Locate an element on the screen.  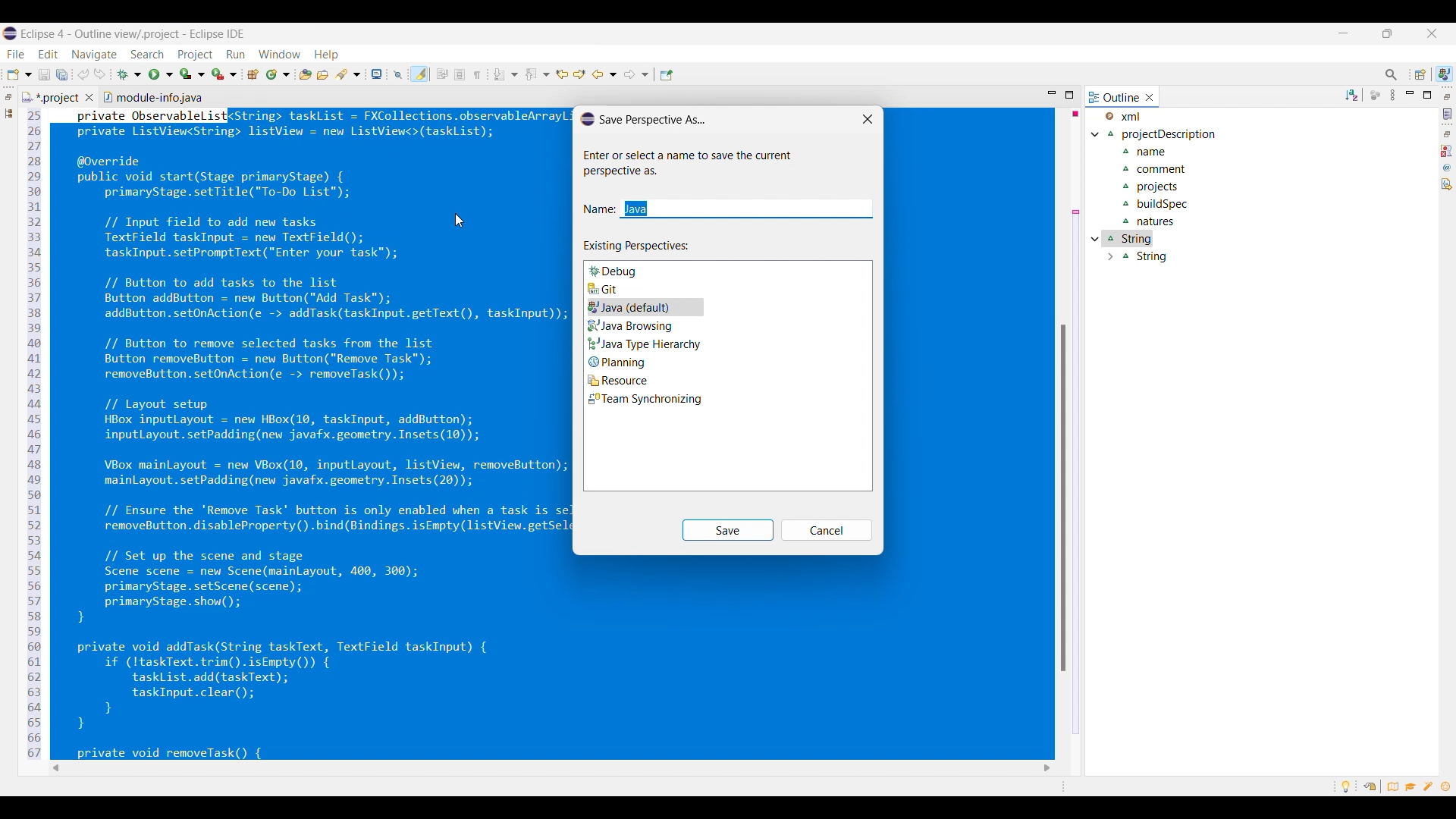
Section title is located at coordinates (636, 246).